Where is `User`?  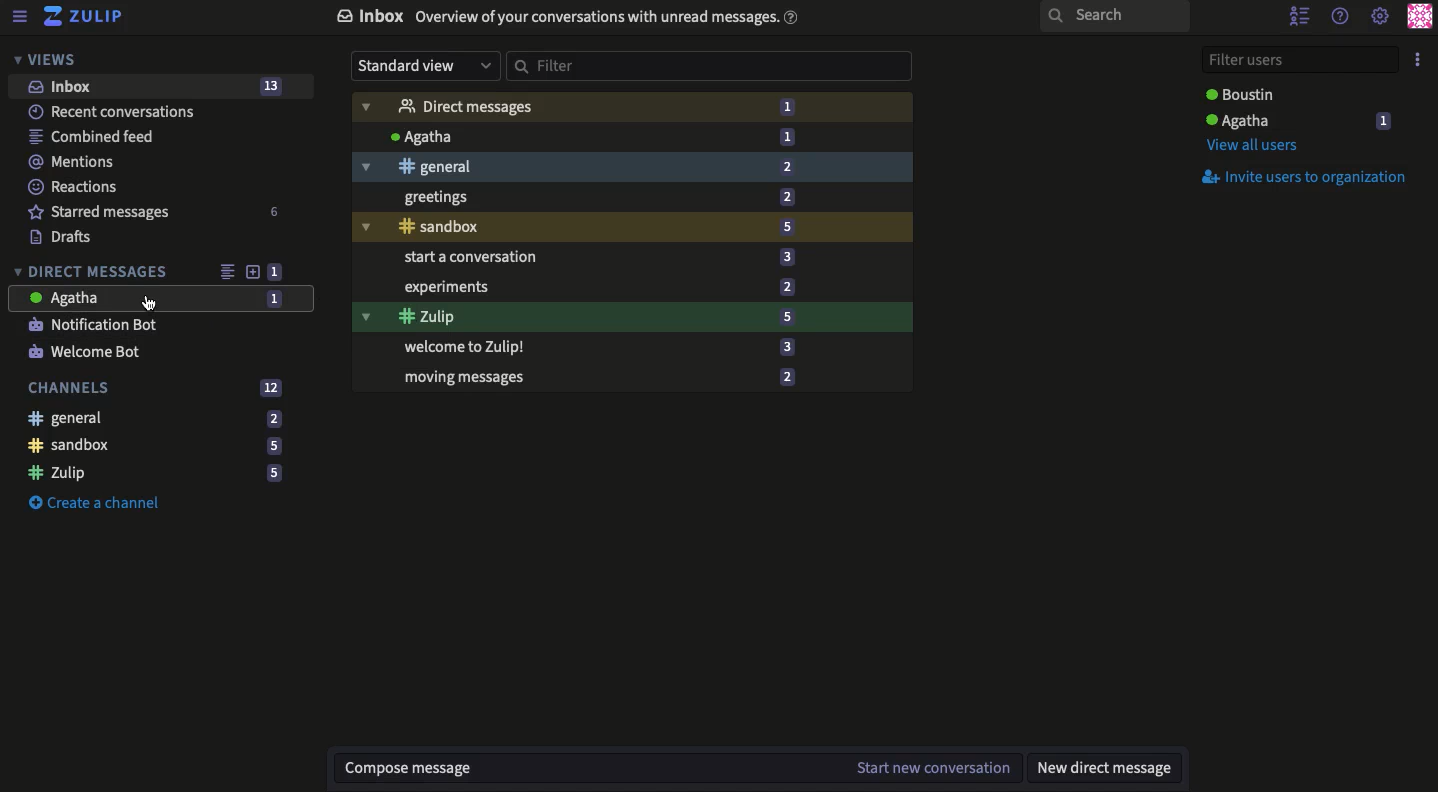
User is located at coordinates (633, 136).